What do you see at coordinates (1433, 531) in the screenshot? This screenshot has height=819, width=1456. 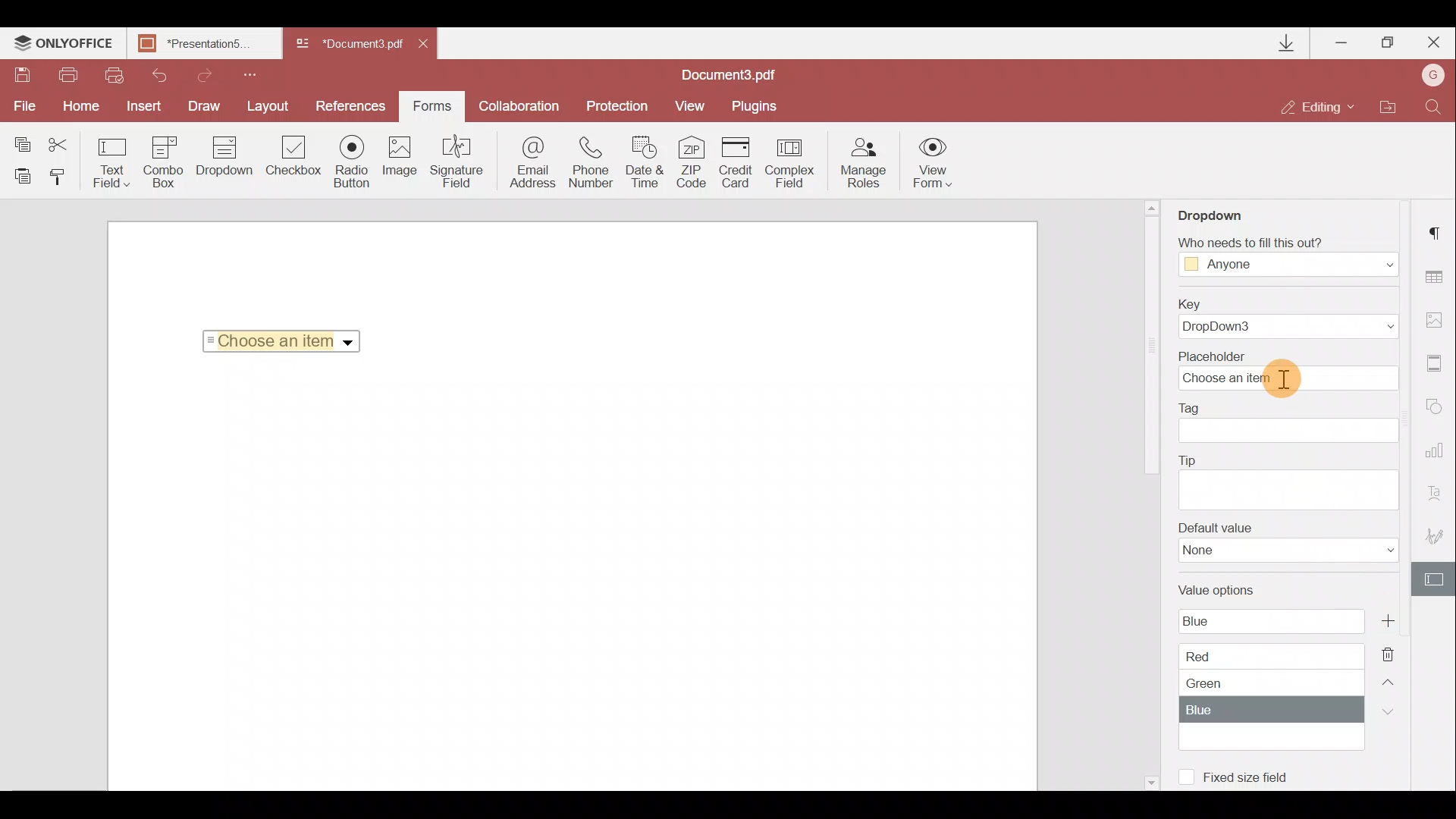 I see `Signature settings` at bounding box center [1433, 531].